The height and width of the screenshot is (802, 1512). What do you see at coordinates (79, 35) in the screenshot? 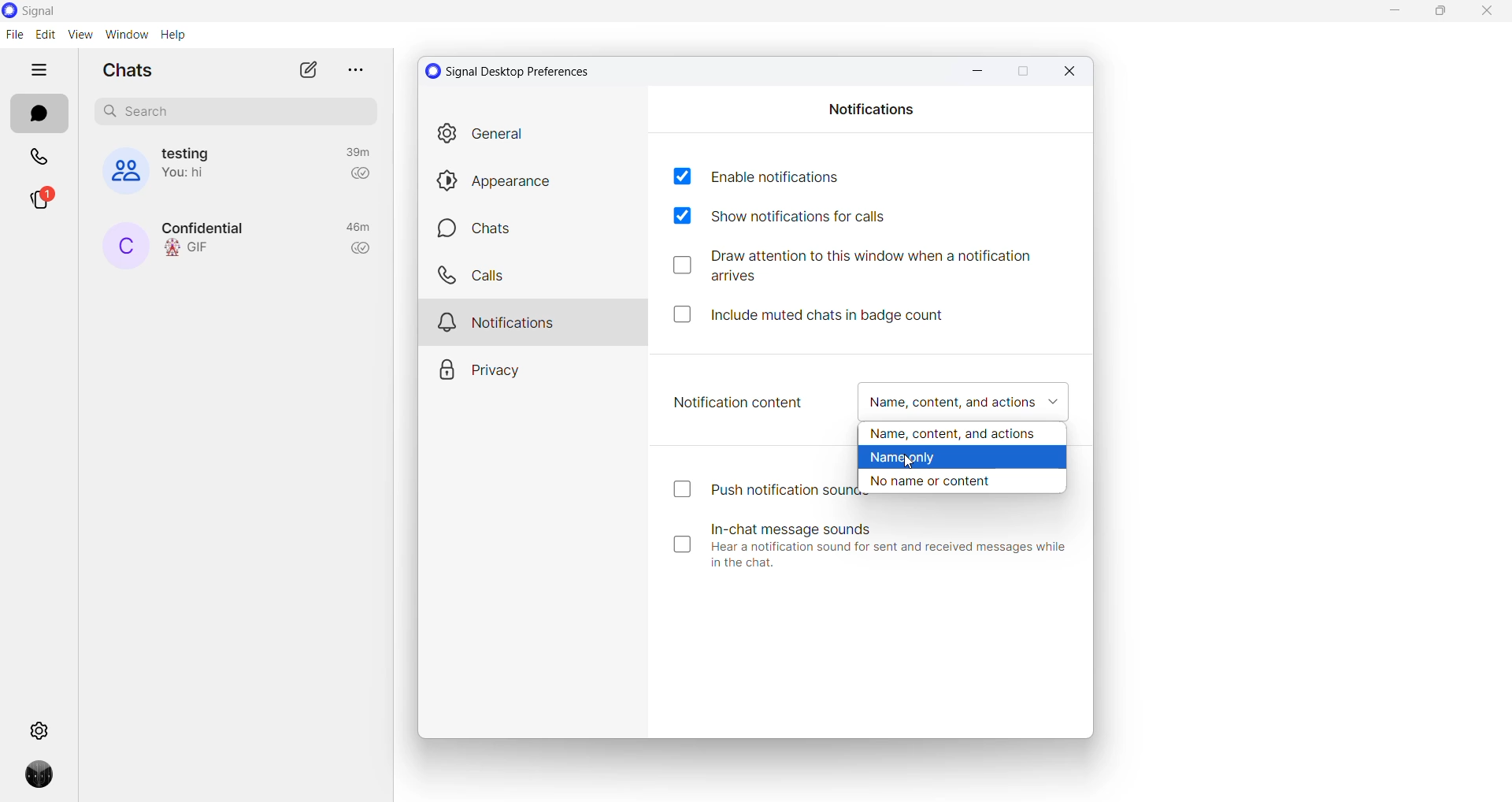
I see `view` at bounding box center [79, 35].